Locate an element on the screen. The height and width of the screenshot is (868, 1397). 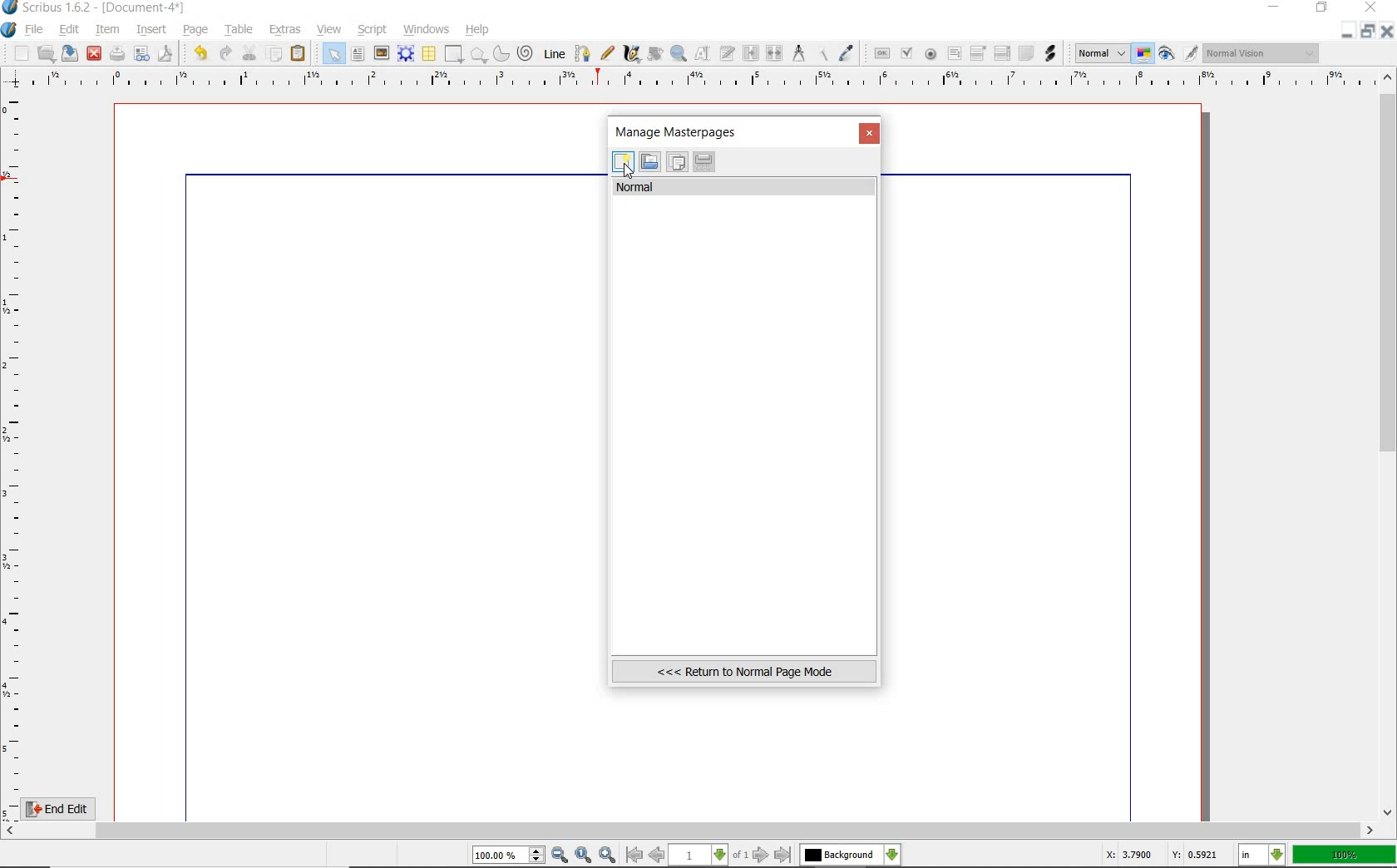
pdf push button is located at coordinates (879, 52).